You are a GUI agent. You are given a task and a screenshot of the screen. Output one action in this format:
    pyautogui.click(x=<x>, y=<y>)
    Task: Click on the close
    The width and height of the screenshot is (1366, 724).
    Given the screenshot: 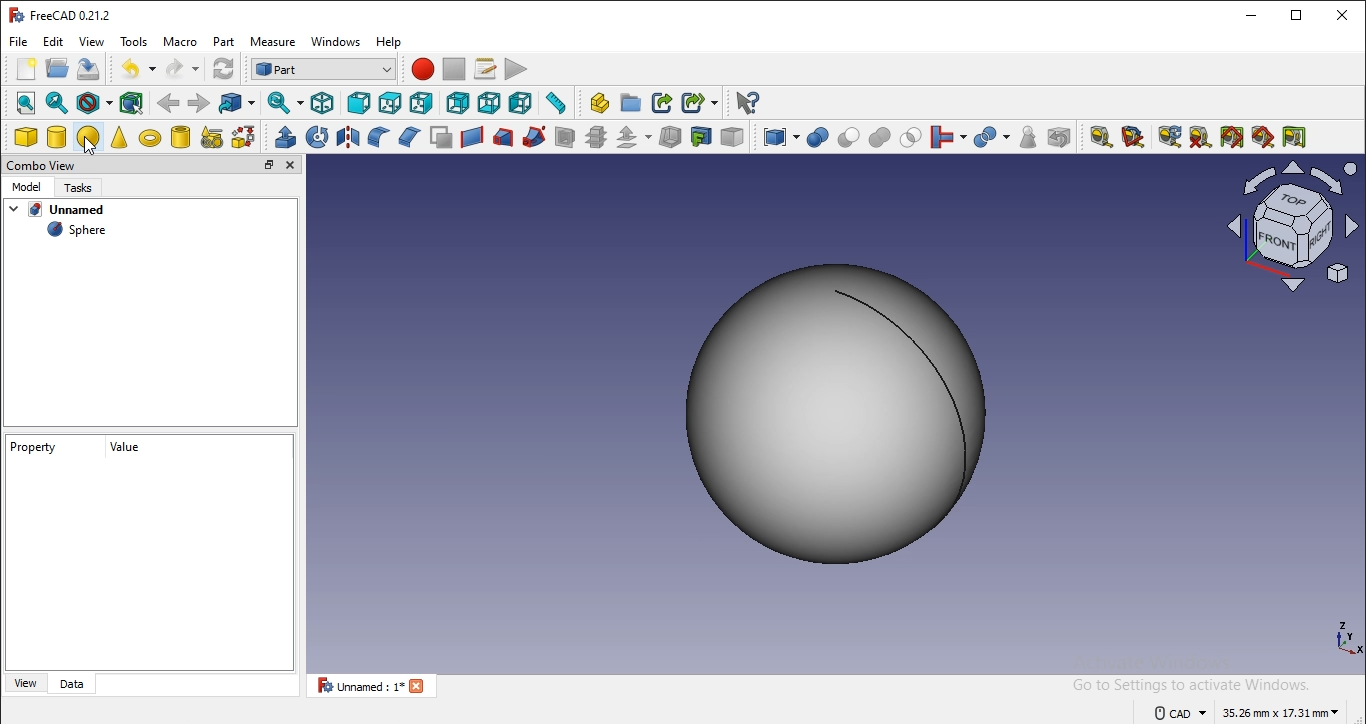 What is the action you would take?
    pyautogui.click(x=1340, y=14)
    